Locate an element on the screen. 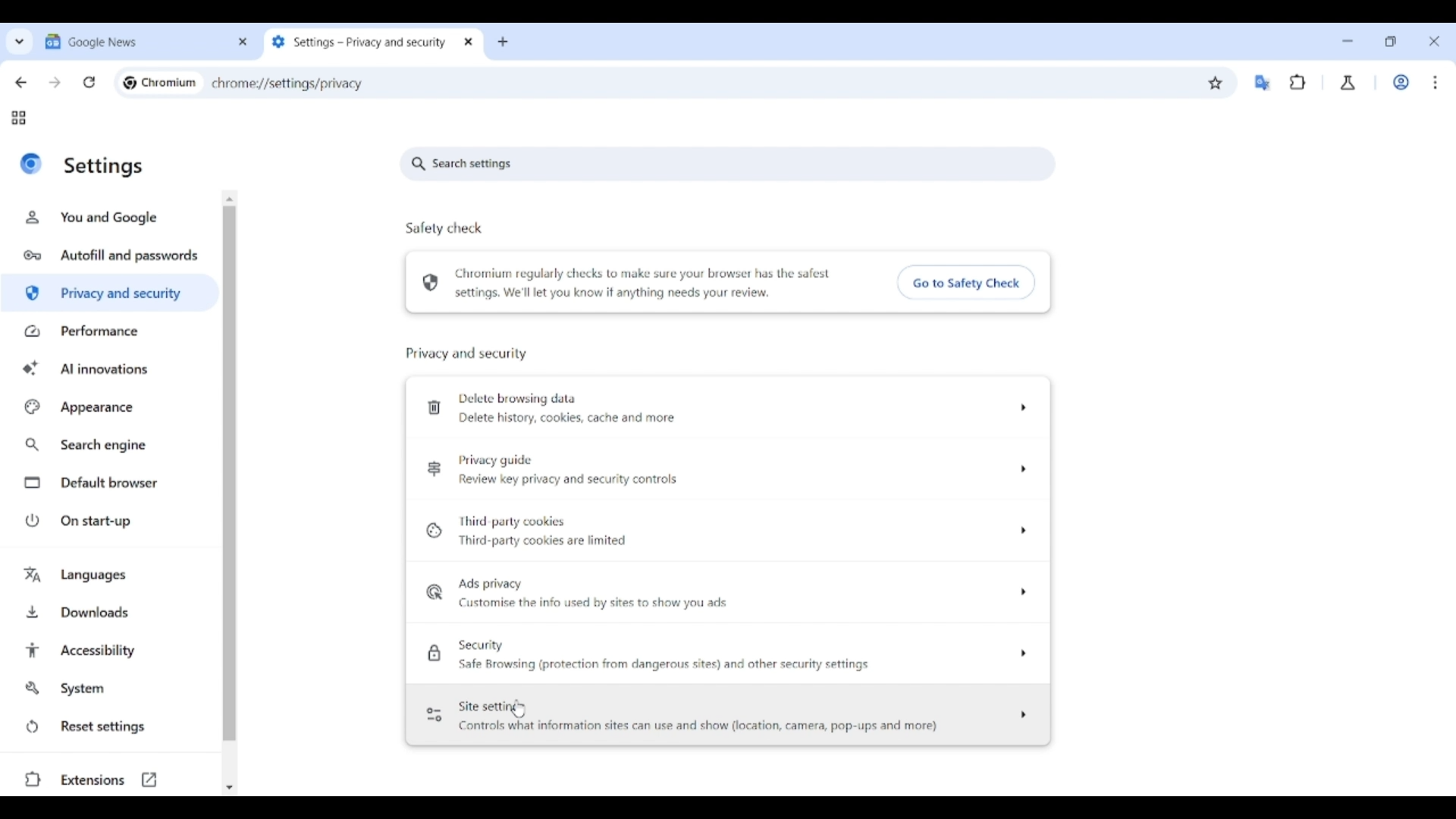 The width and height of the screenshot is (1456, 819). Go back is located at coordinates (20, 83).